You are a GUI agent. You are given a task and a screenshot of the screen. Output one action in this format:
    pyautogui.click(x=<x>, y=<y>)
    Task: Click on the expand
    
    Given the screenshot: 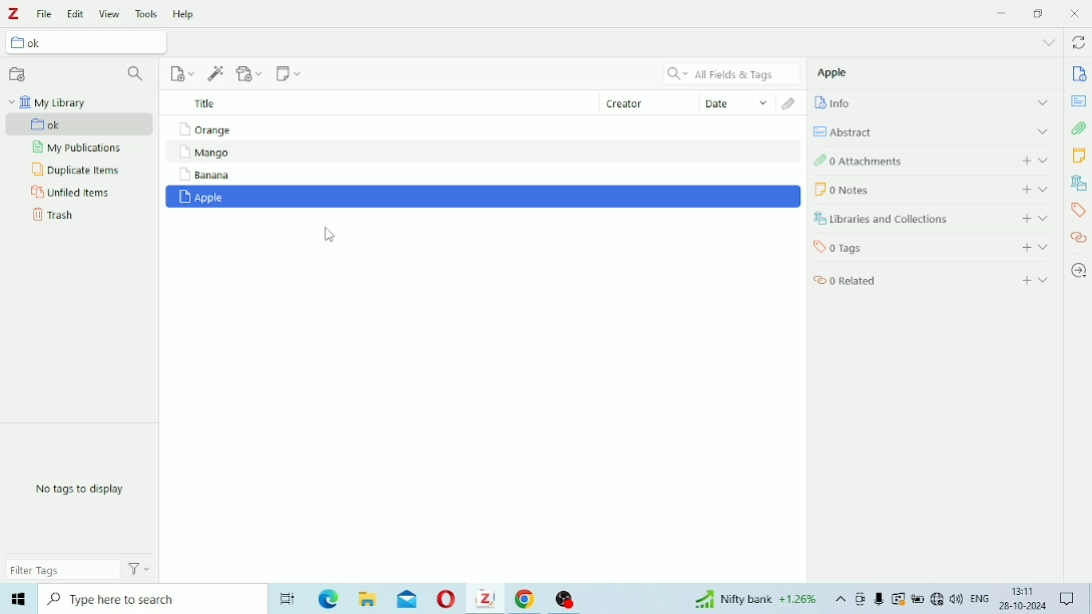 What is the action you would take?
    pyautogui.click(x=1048, y=161)
    